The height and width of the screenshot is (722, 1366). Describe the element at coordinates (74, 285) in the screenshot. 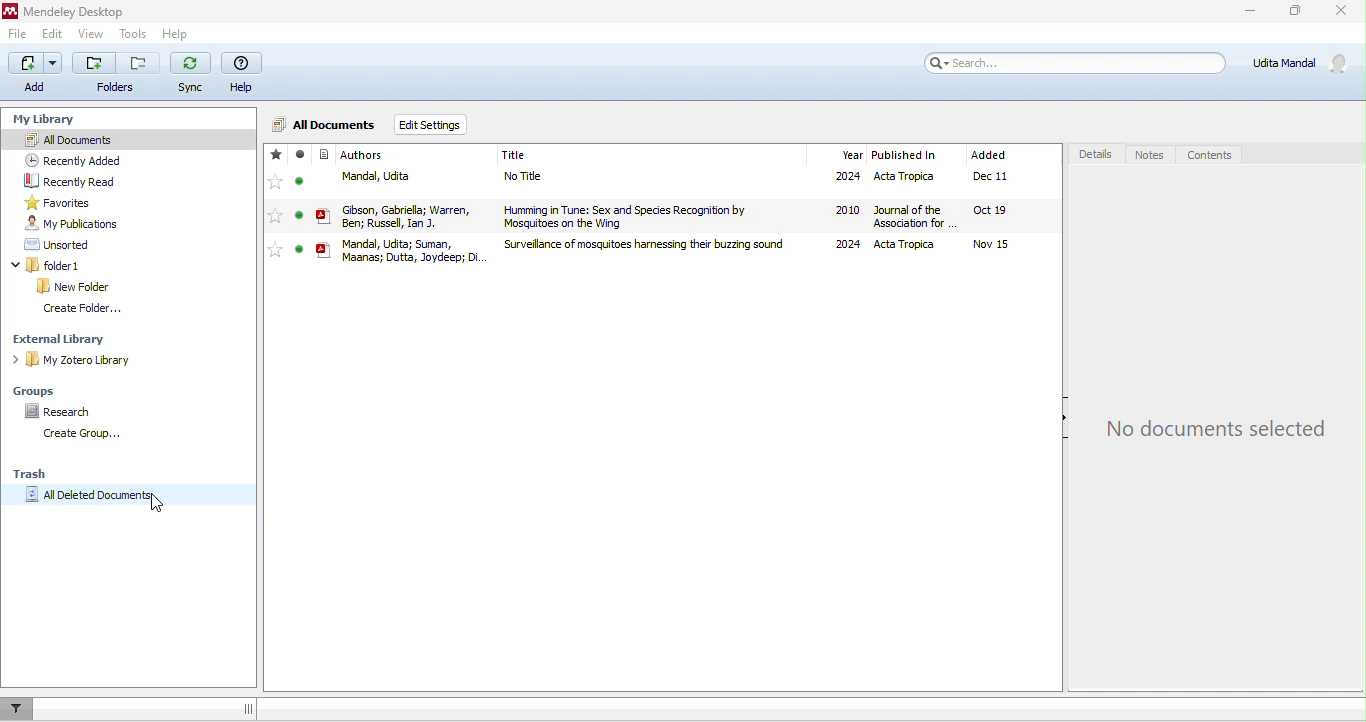

I see `new folder` at that location.